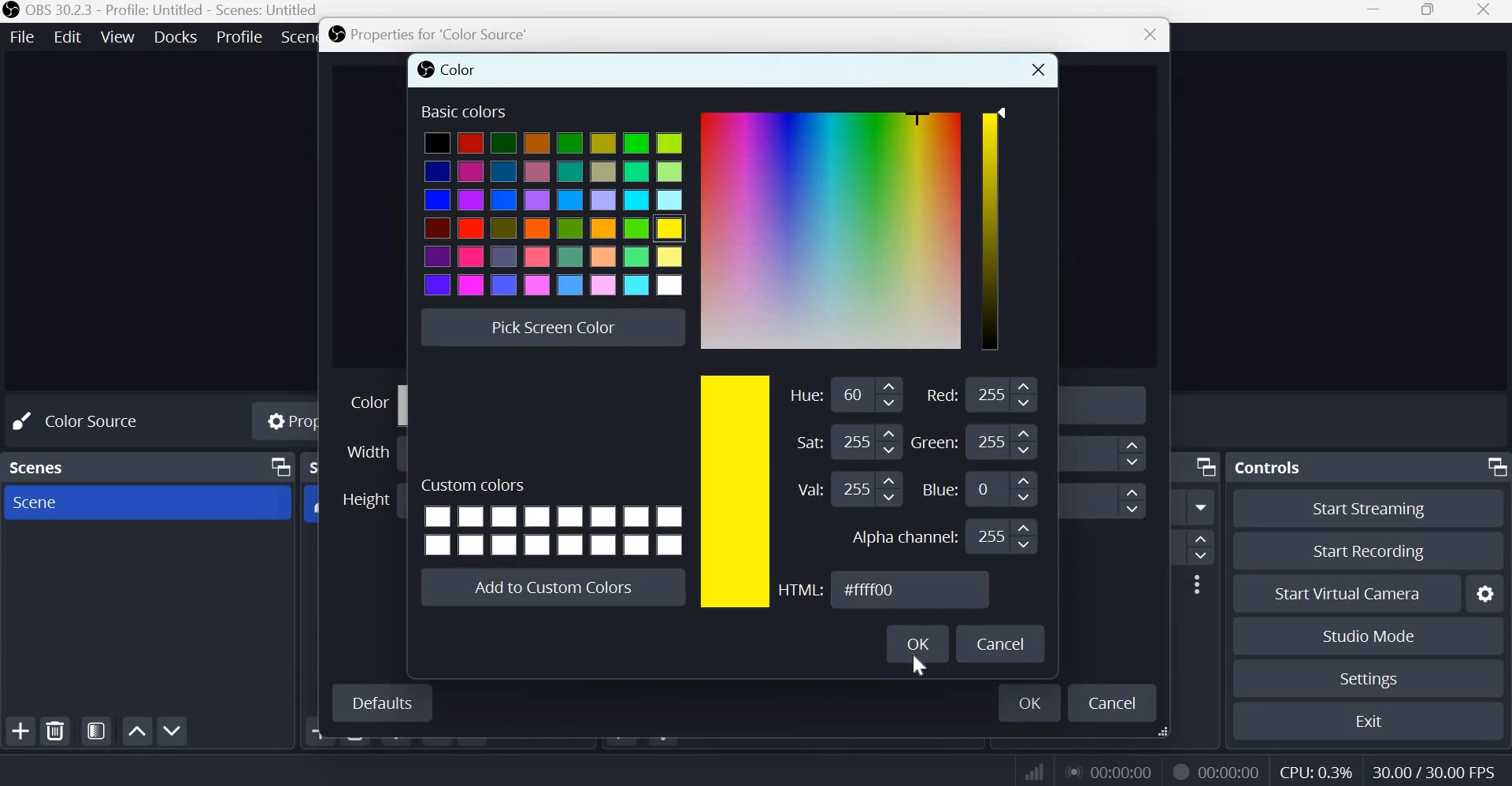 The width and height of the screenshot is (1512, 786). Describe the element at coordinates (868, 490) in the screenshot. I see `Input` at that location.